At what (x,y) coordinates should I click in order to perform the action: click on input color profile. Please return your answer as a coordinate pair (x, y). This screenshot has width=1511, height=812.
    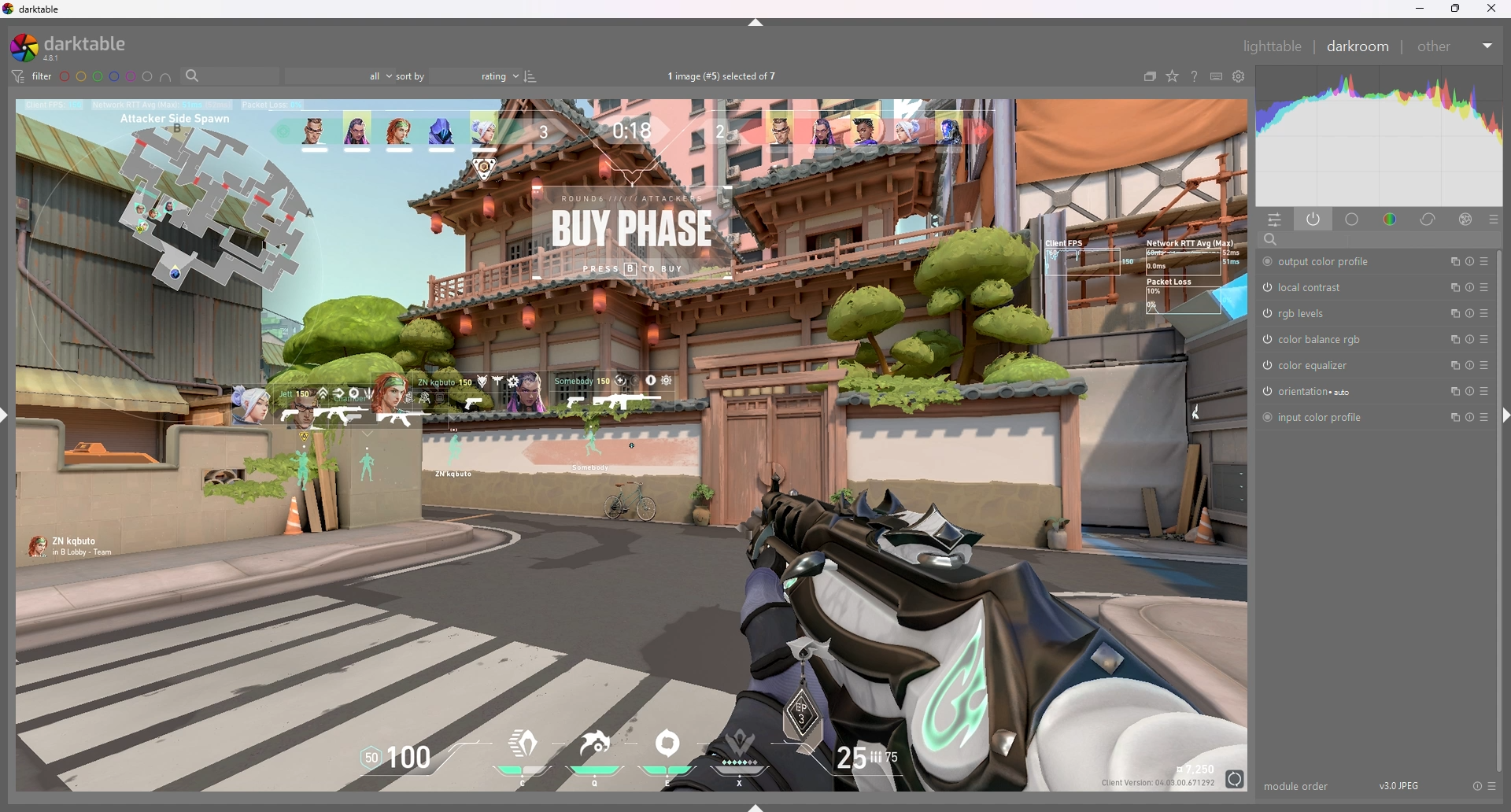
    Looking at the image, I should click on (1315, 416).